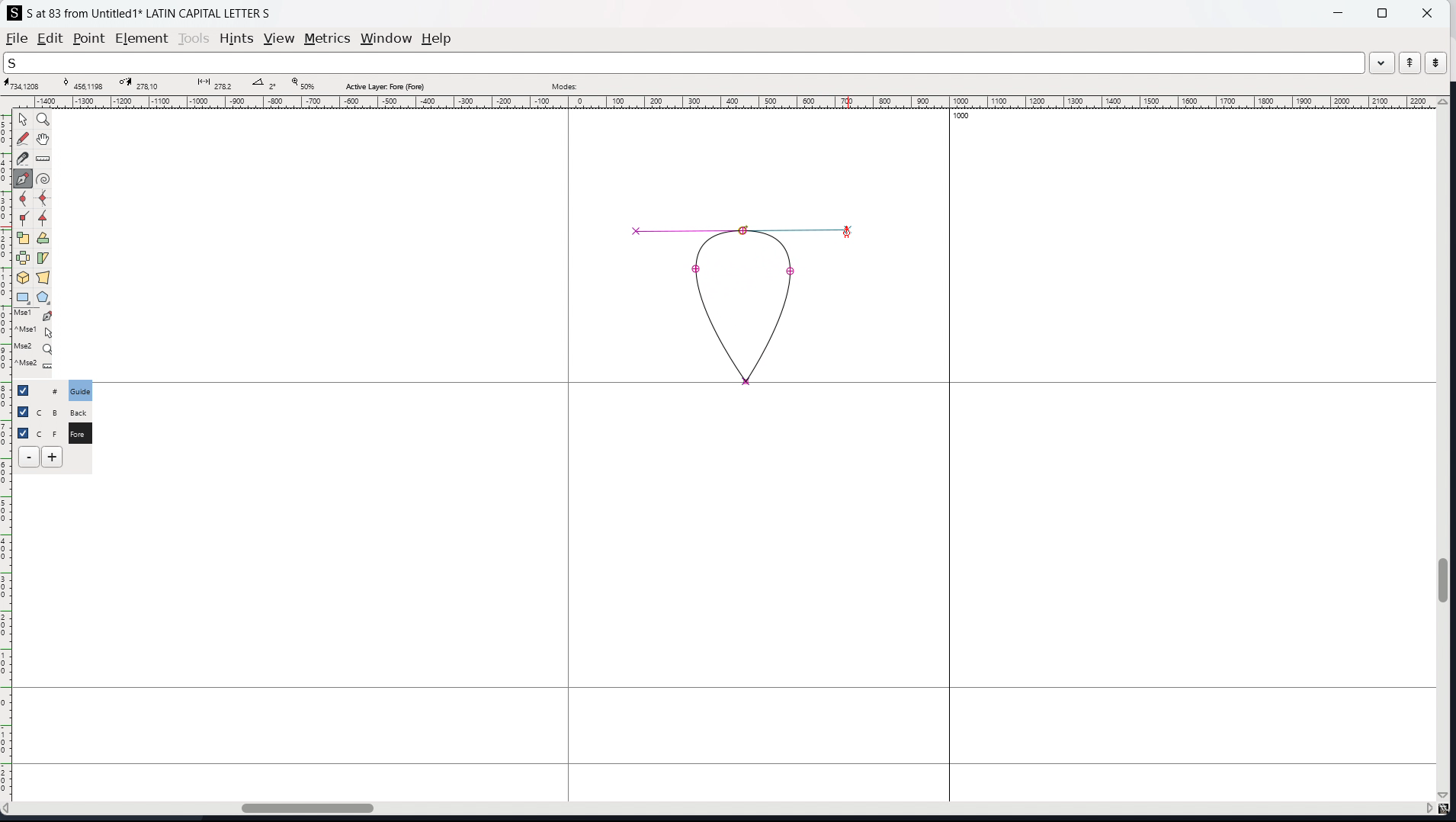 The height and width of the screenshot is (822, 1456). I want to click on skew selection, so click(43, 259).